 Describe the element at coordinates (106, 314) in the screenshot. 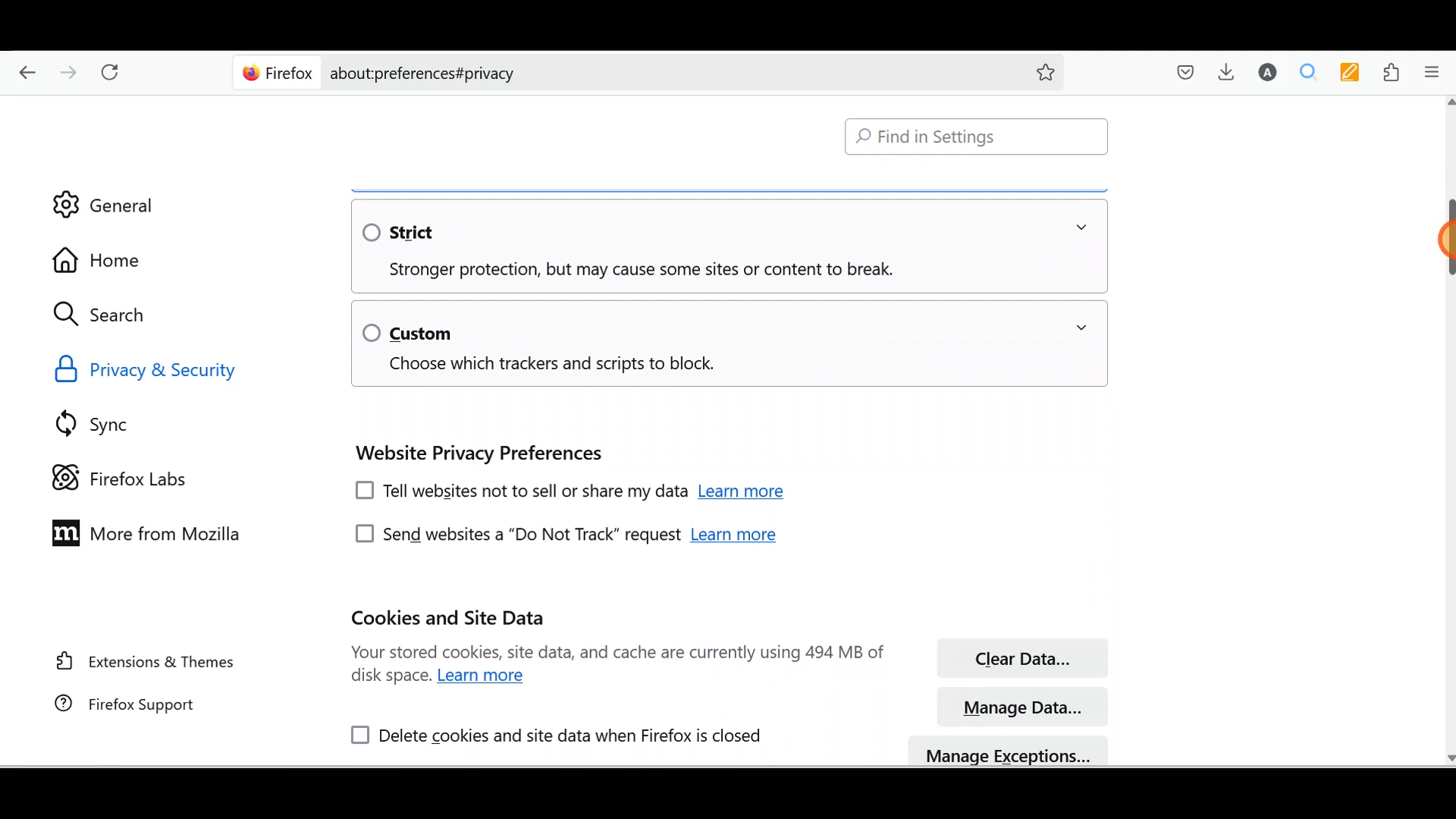

I see `Search` at that location.